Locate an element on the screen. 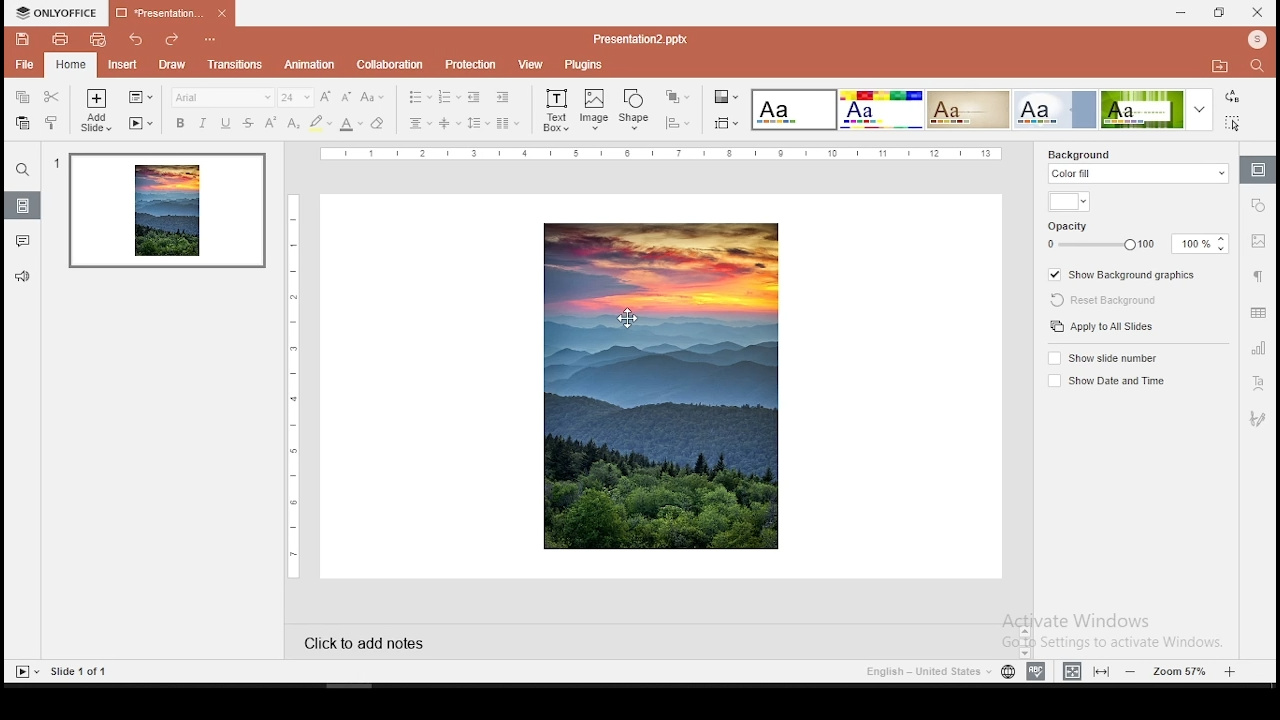 This screenshot has height=720, width=1280. protection is located at coordinates (472, 66).